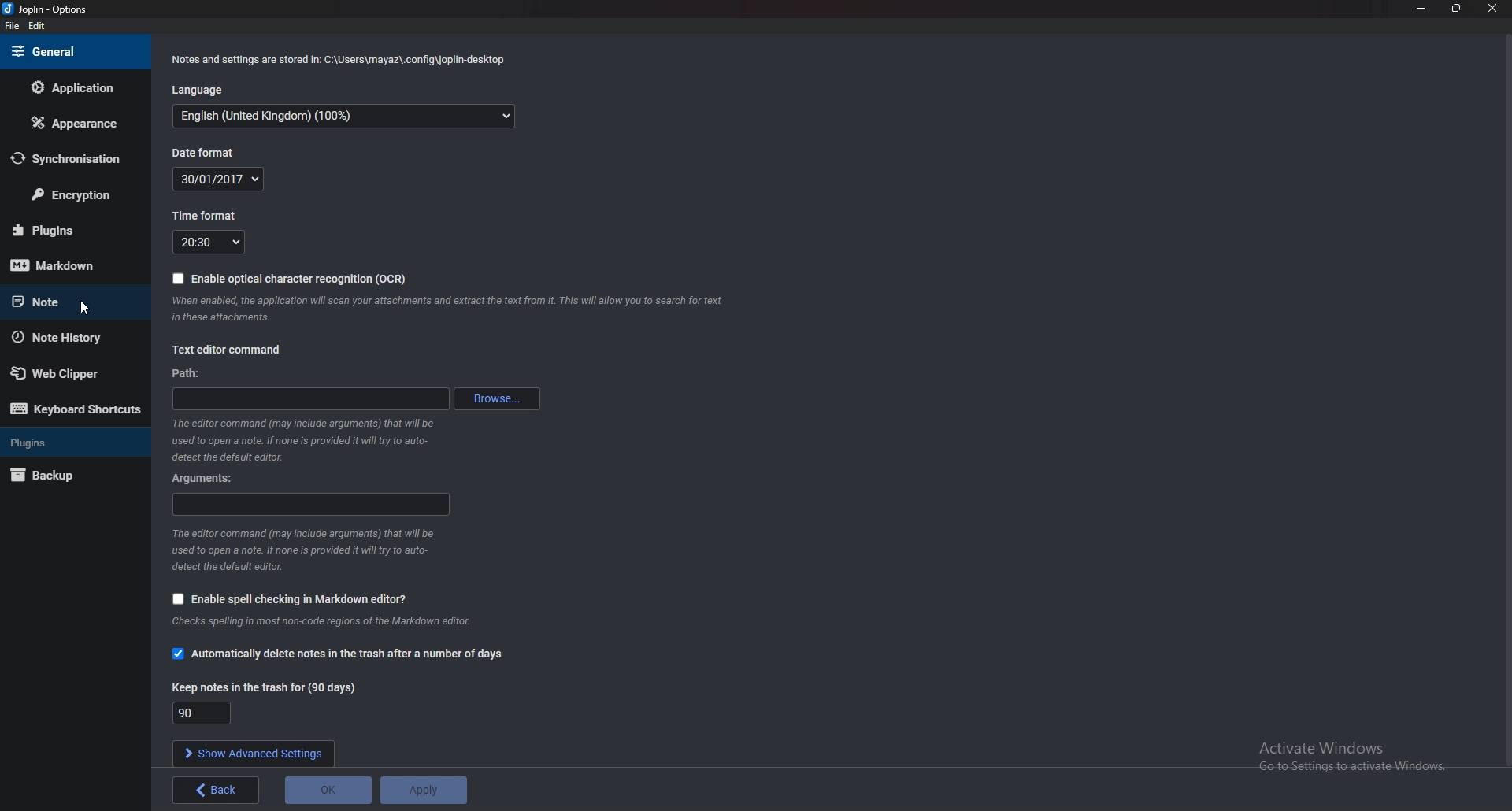  What do you see at coordinates (1492, 9) in the screenshot?
I see `Close` at bounding box center [1492, 9].